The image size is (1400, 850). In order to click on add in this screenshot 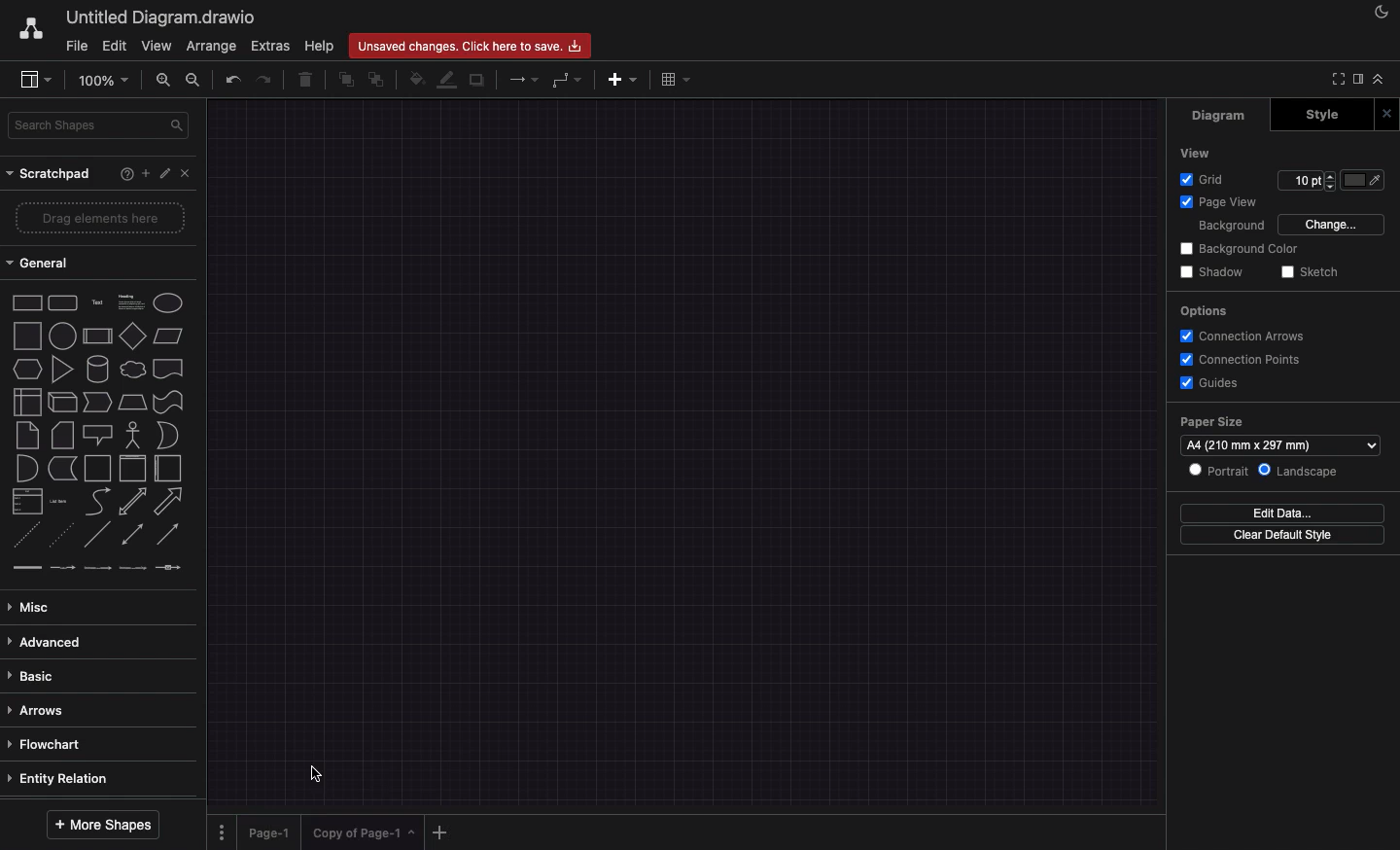, I will do `click(145, 174)`.